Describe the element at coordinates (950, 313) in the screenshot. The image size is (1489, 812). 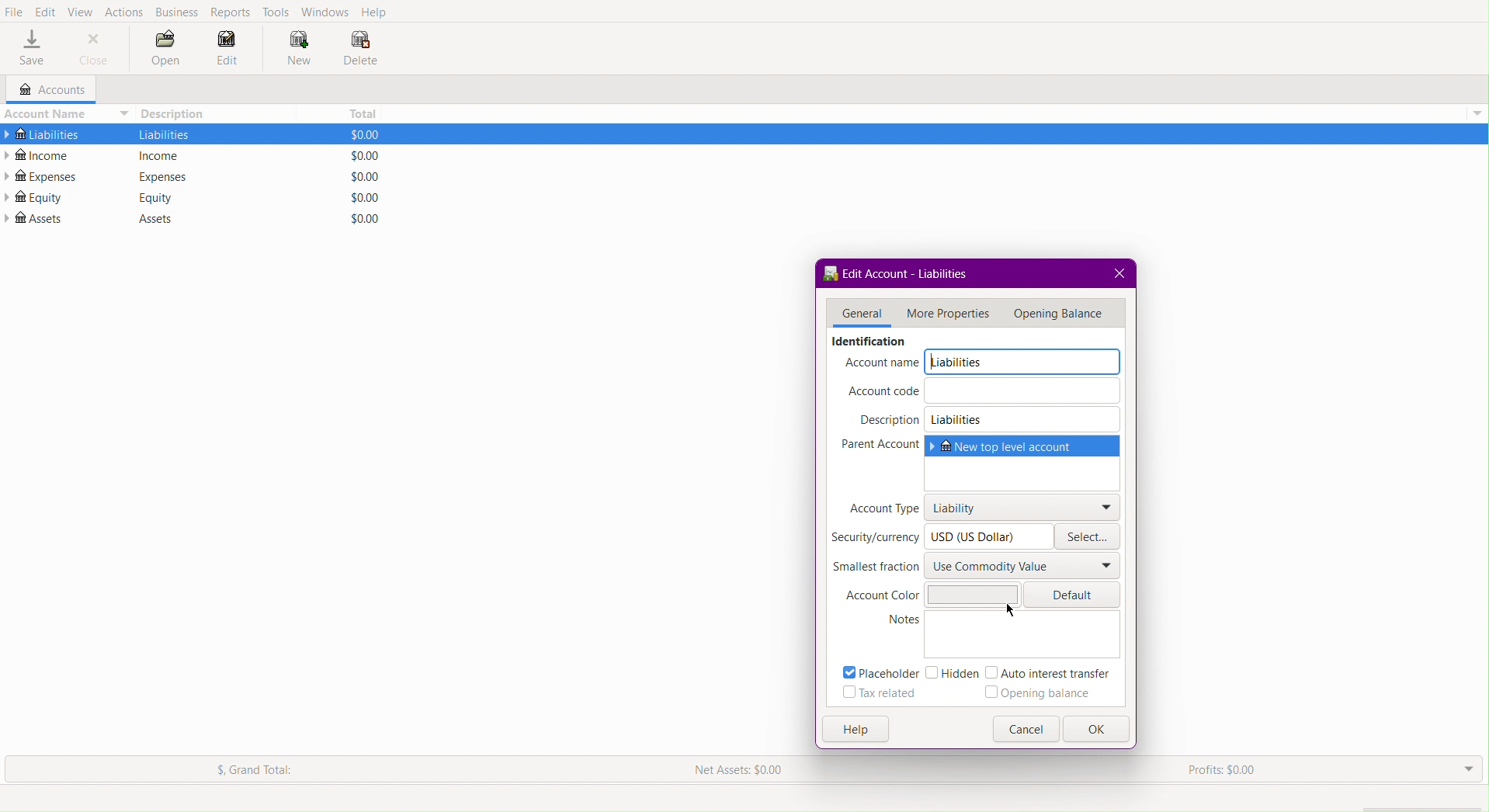
I see `More Properties` at that location.